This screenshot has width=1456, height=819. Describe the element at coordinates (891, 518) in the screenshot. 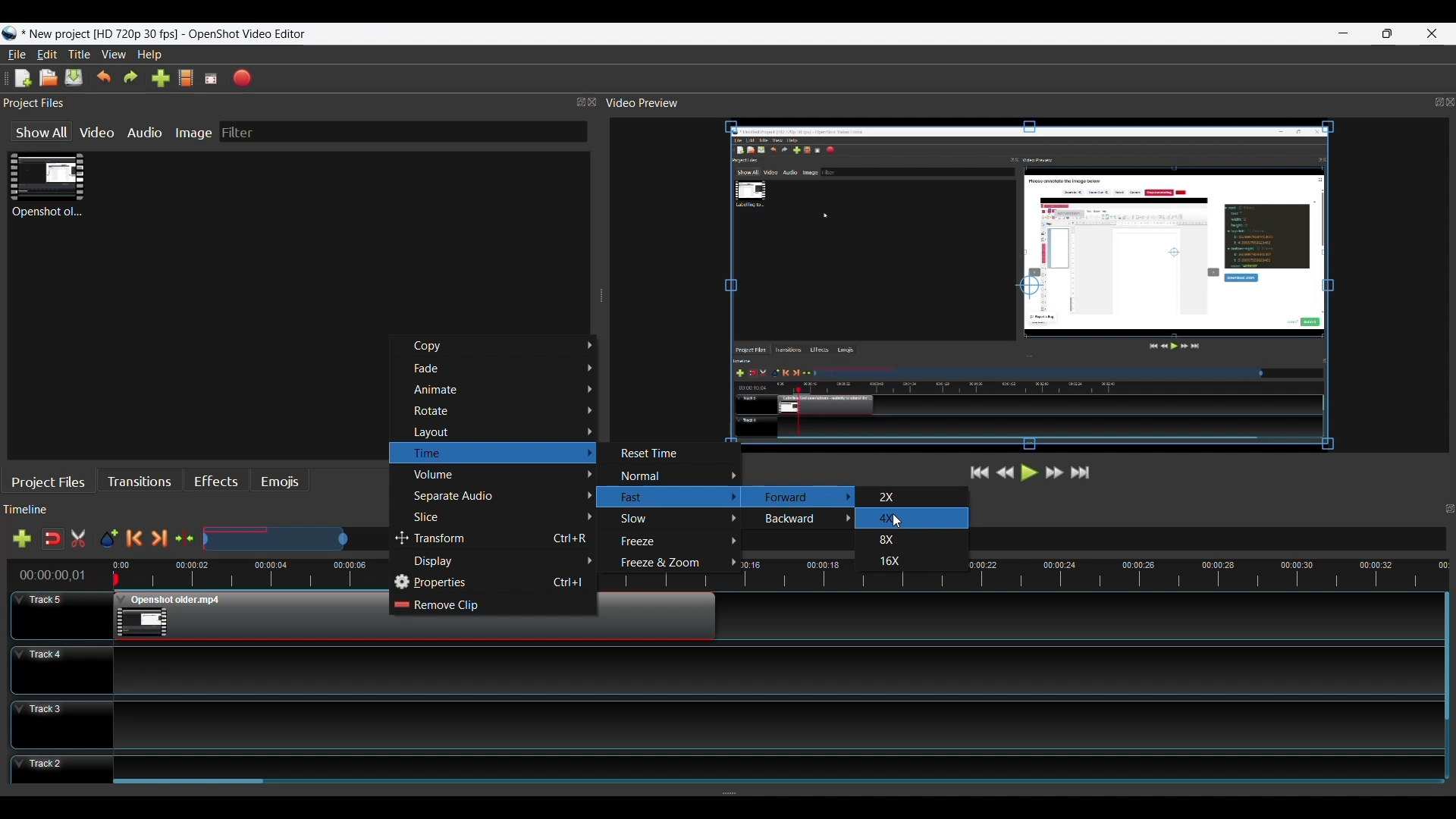

I see `4X` at that location.